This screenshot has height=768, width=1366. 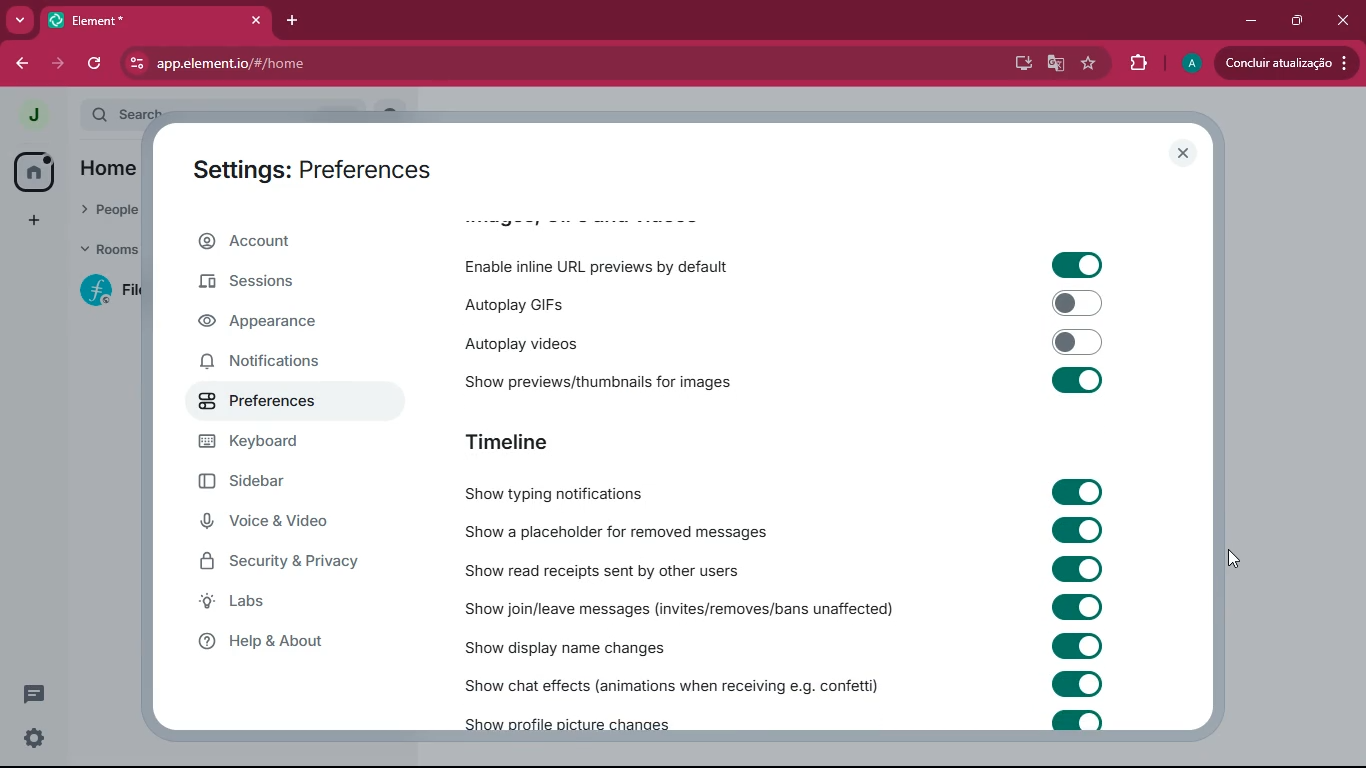 What do you see at coordinates (34, 171) in the screenshot?
I see `home` at bounding box center [34, 171].